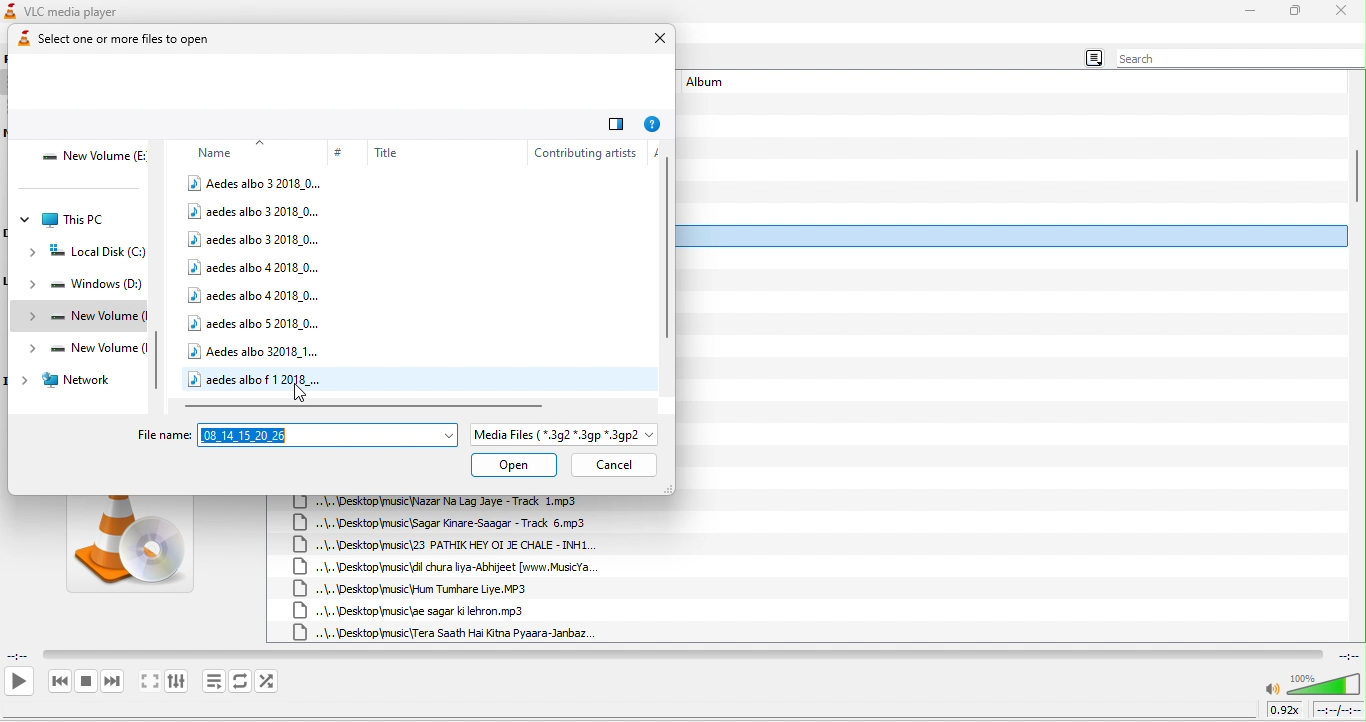 The image size is (1366, 722). What do you see at coordinates (129, 550) in the screenshot?
I see `vlc media image` at bounding box center [129, 550].